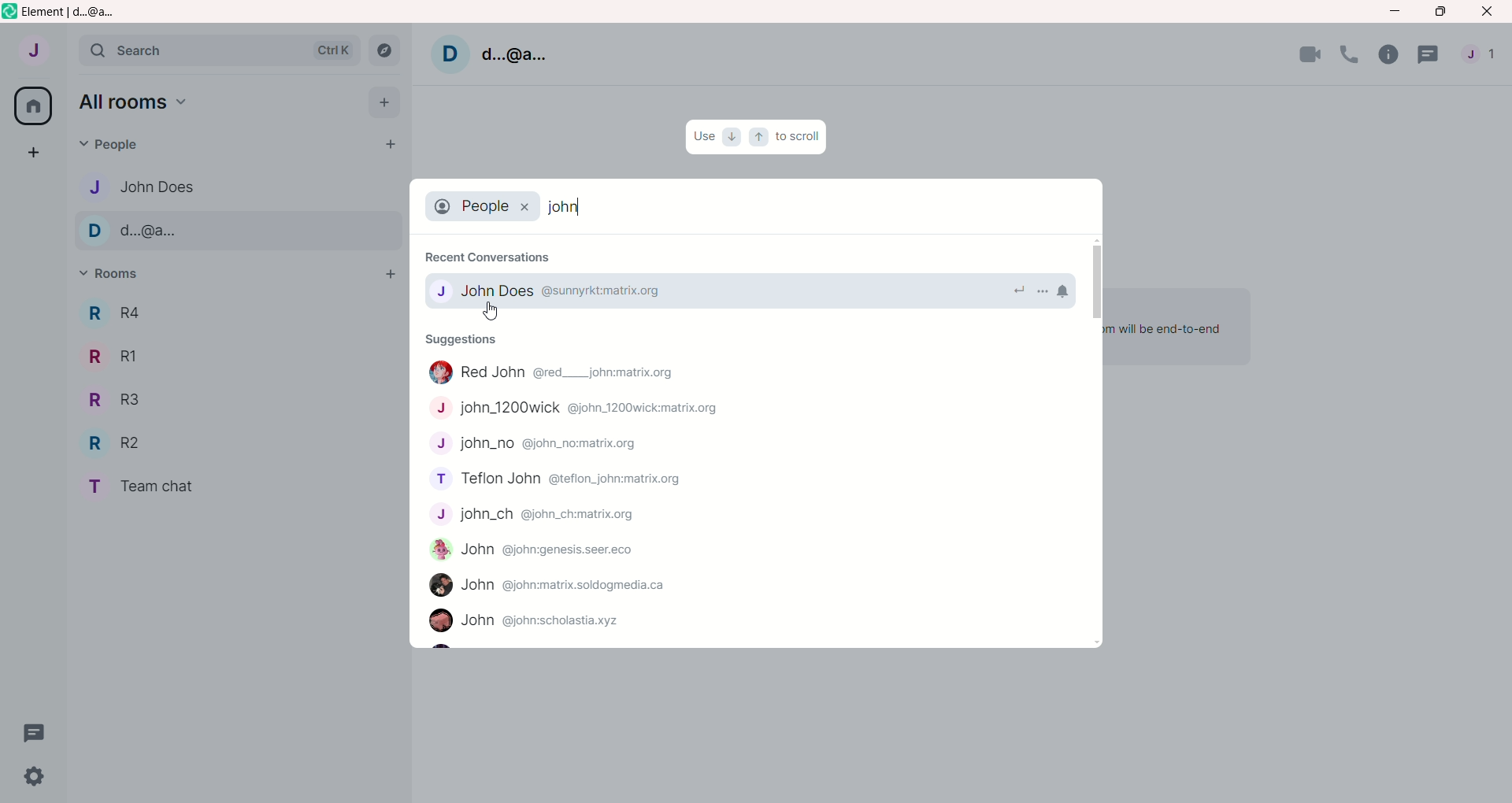 This screenshot has height=803, width=1512. I want to click on minimize, so click(1395, 9).